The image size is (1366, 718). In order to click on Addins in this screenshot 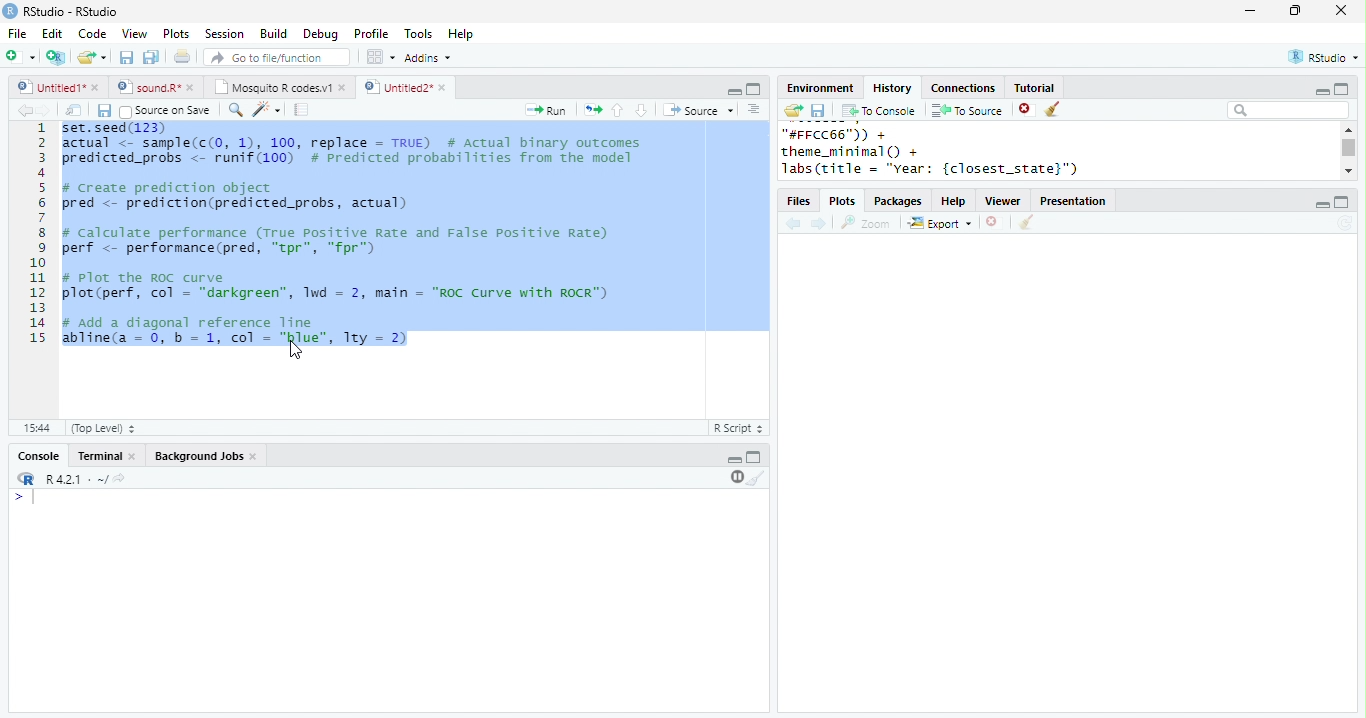, I will do `click(428, 58)`.